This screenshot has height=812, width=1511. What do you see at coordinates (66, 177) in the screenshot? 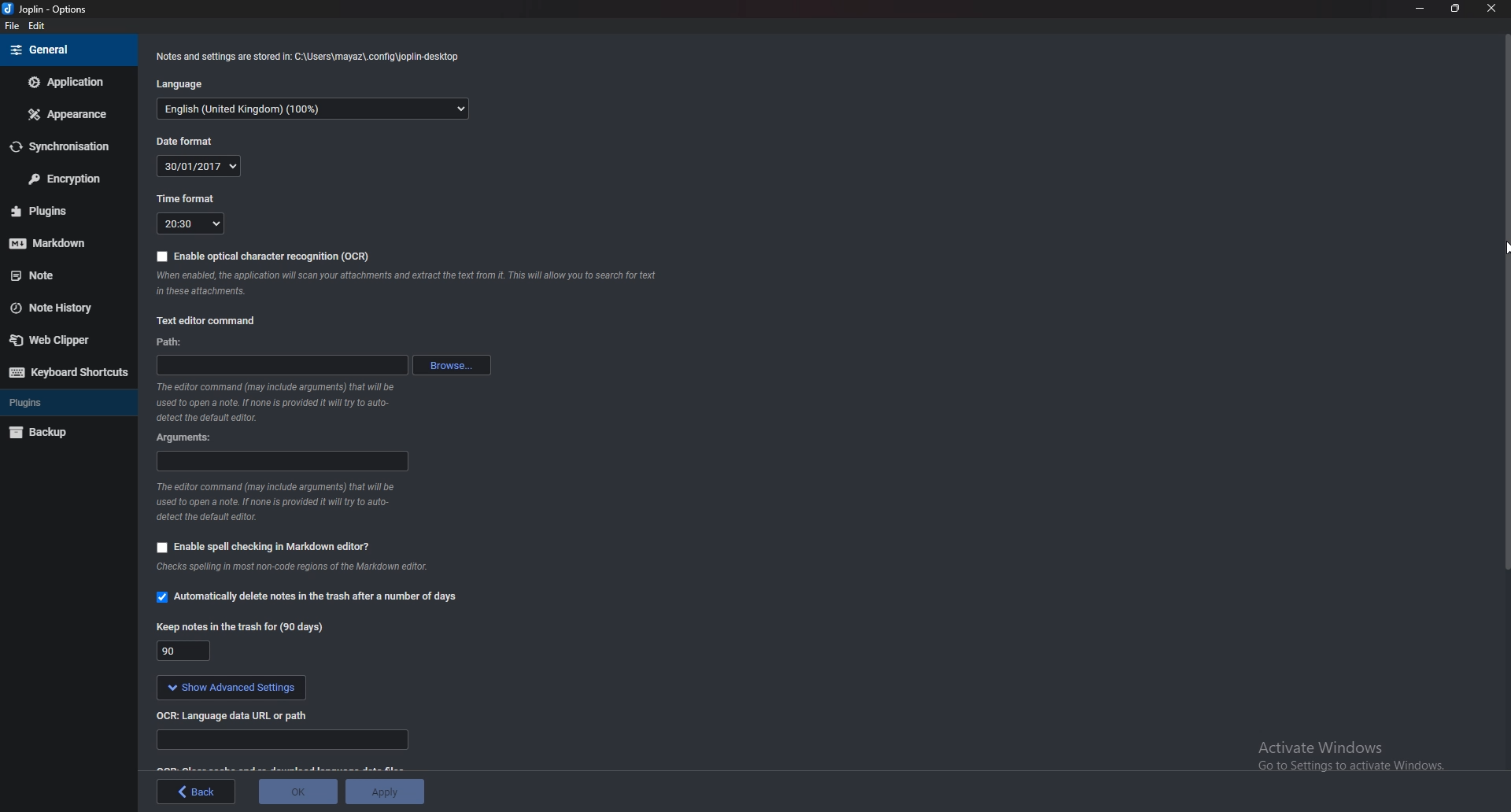
I see `Encryption` at bounding box center [66, 177].